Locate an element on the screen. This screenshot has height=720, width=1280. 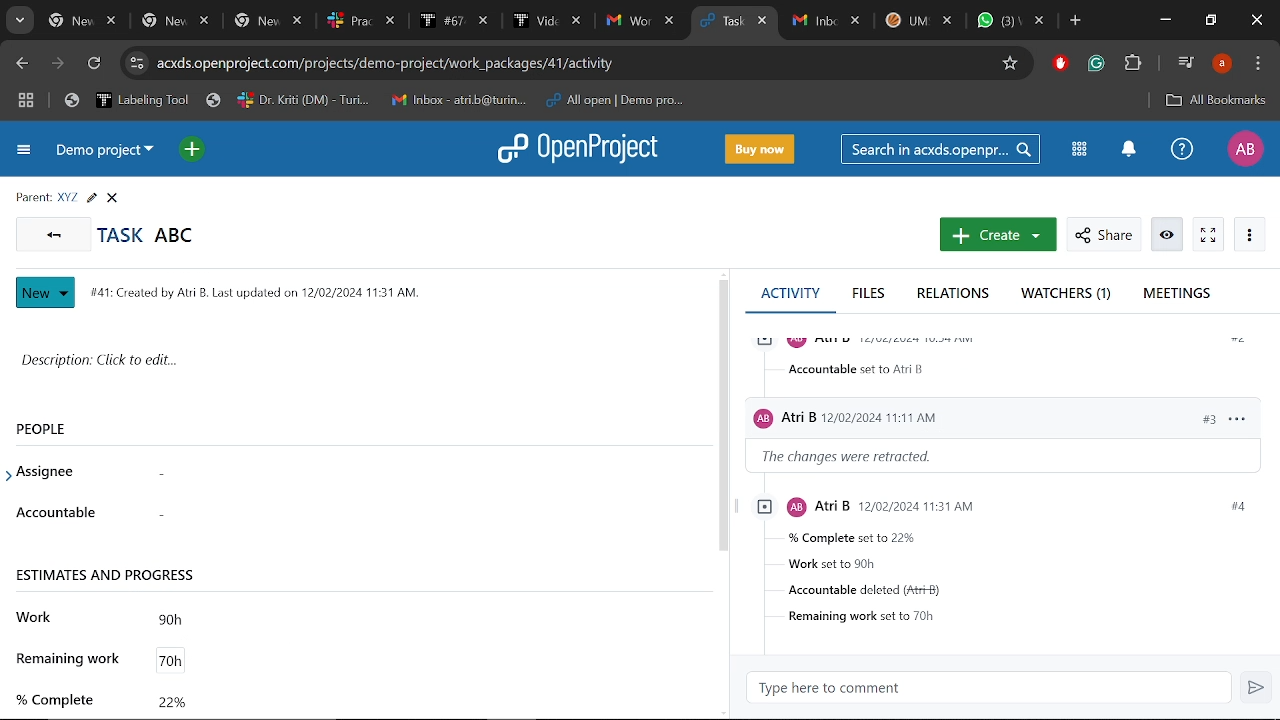
Send is located at coordinates (1258, 689).